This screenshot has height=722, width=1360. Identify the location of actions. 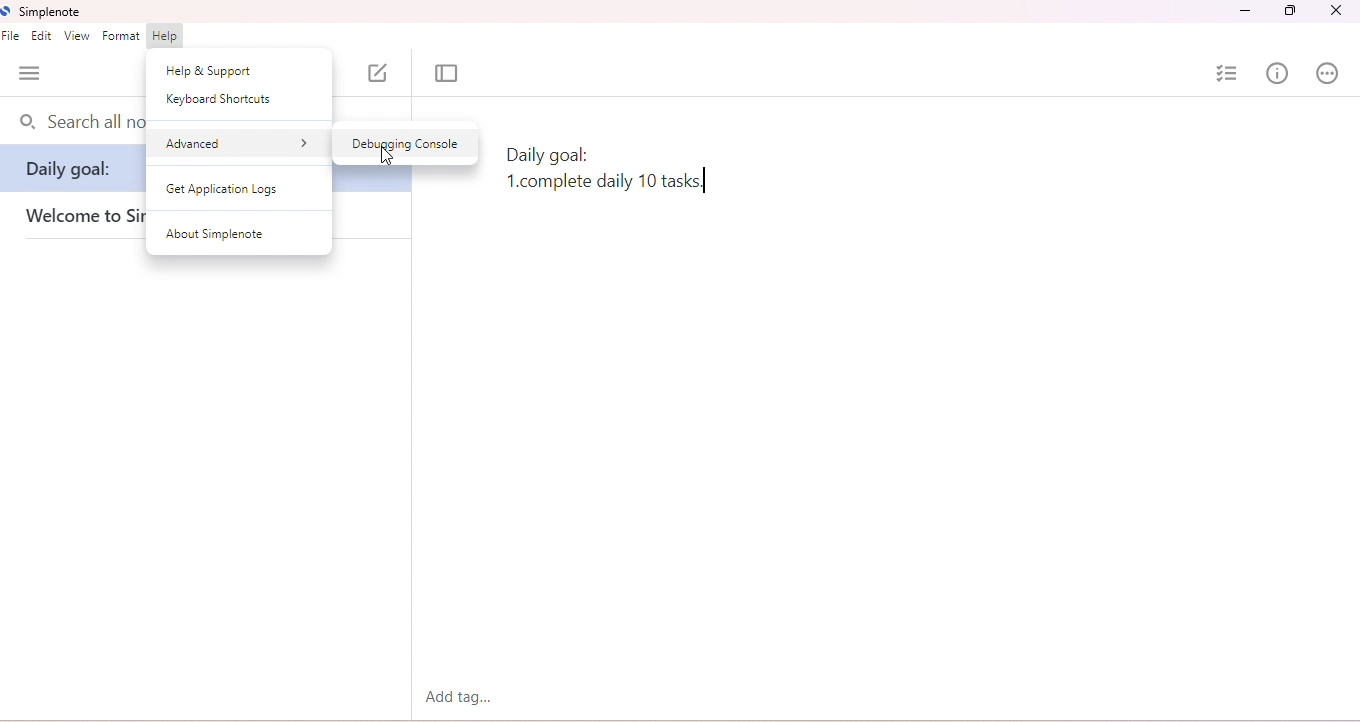
(1327, 72).